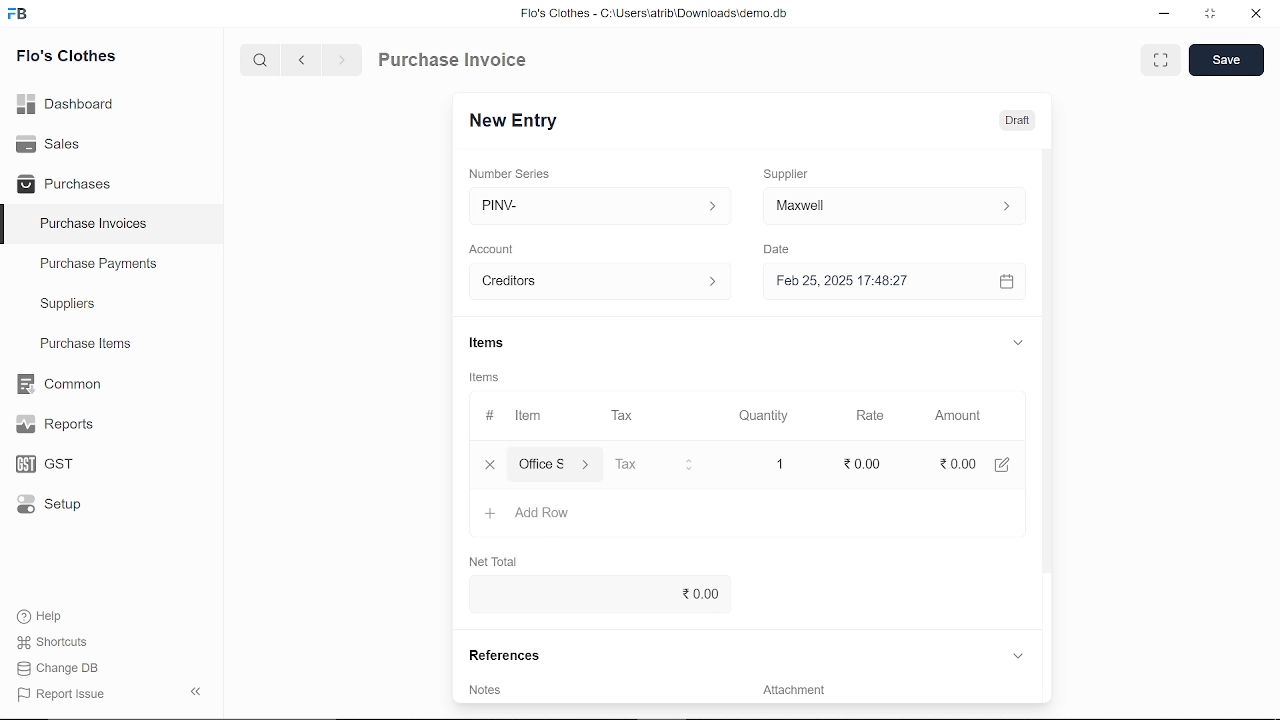  Describe the element at coordinates (653, 17) in the screenshot. I see `Flo's Clothes - C:\Users\alrib\Downioads'cemo.db.` at that location.